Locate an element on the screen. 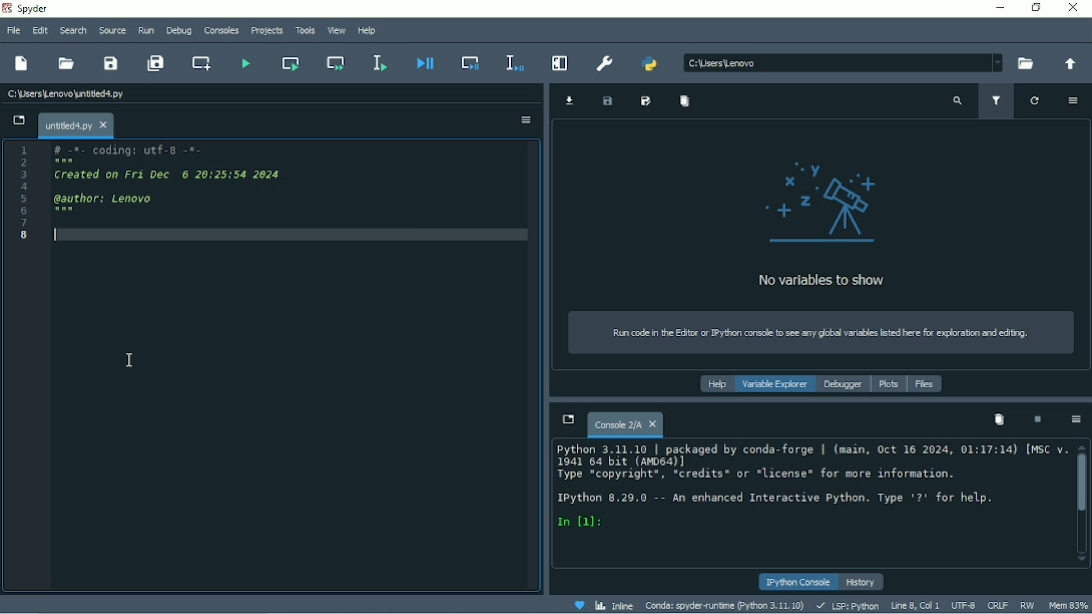 The width and height of the screenshot is (1092, 614). logo is located at coordinates (833, 200).